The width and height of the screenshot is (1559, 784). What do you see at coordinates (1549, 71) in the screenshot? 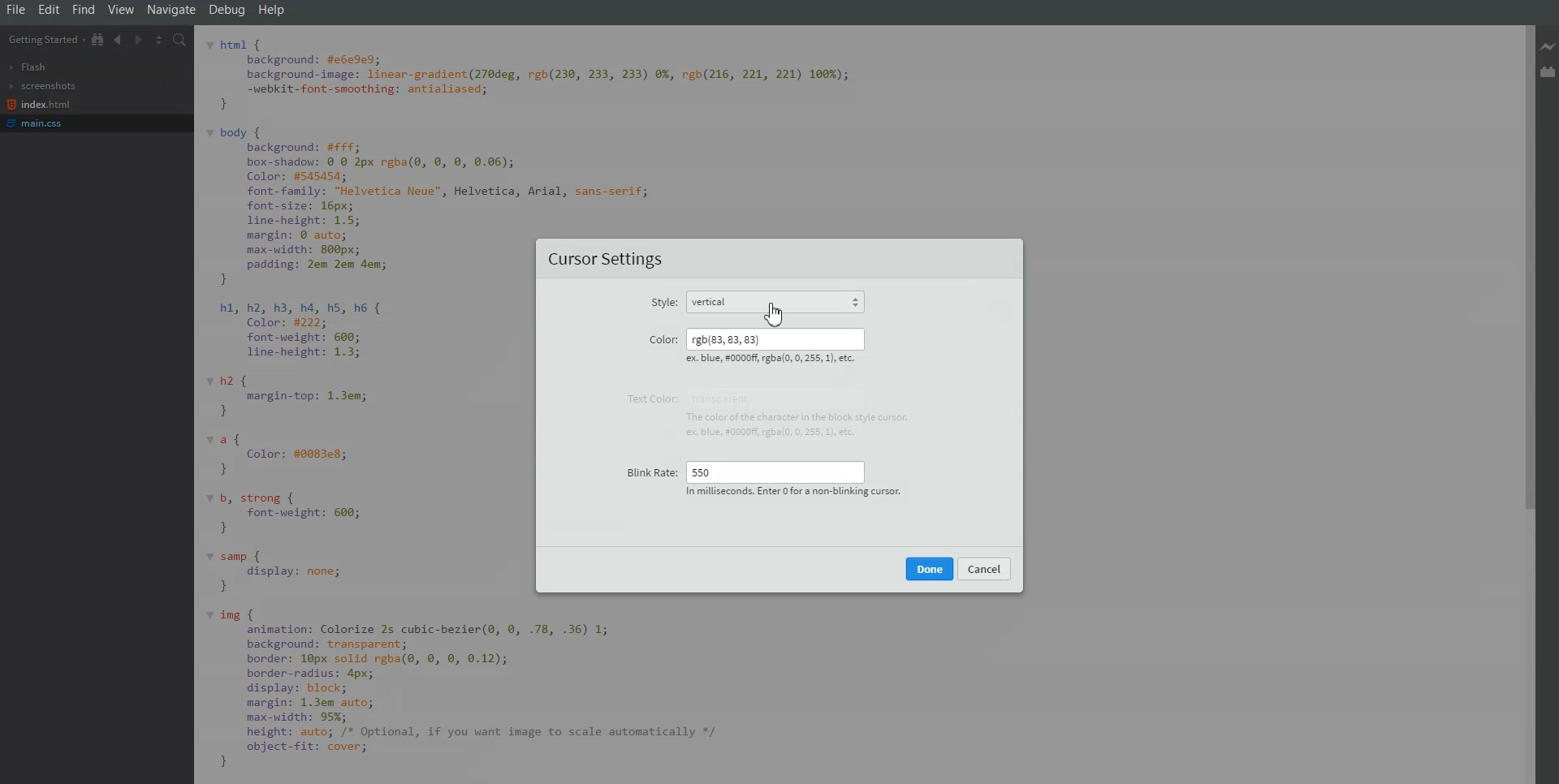
I see `Extension Manager` at bounding box center [1549, 71].